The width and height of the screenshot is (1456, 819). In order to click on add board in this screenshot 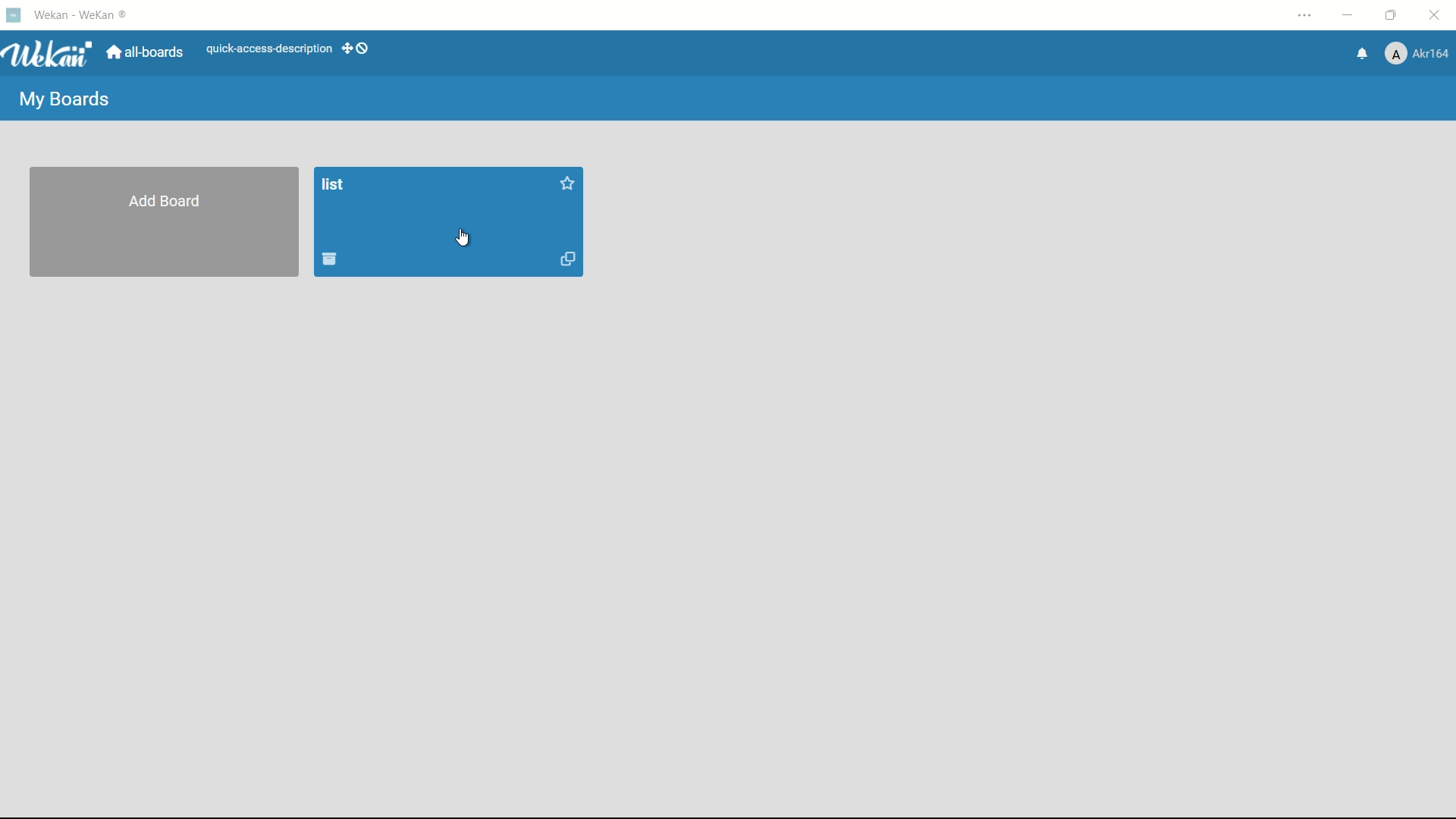, I will do `click(166, 201)`.